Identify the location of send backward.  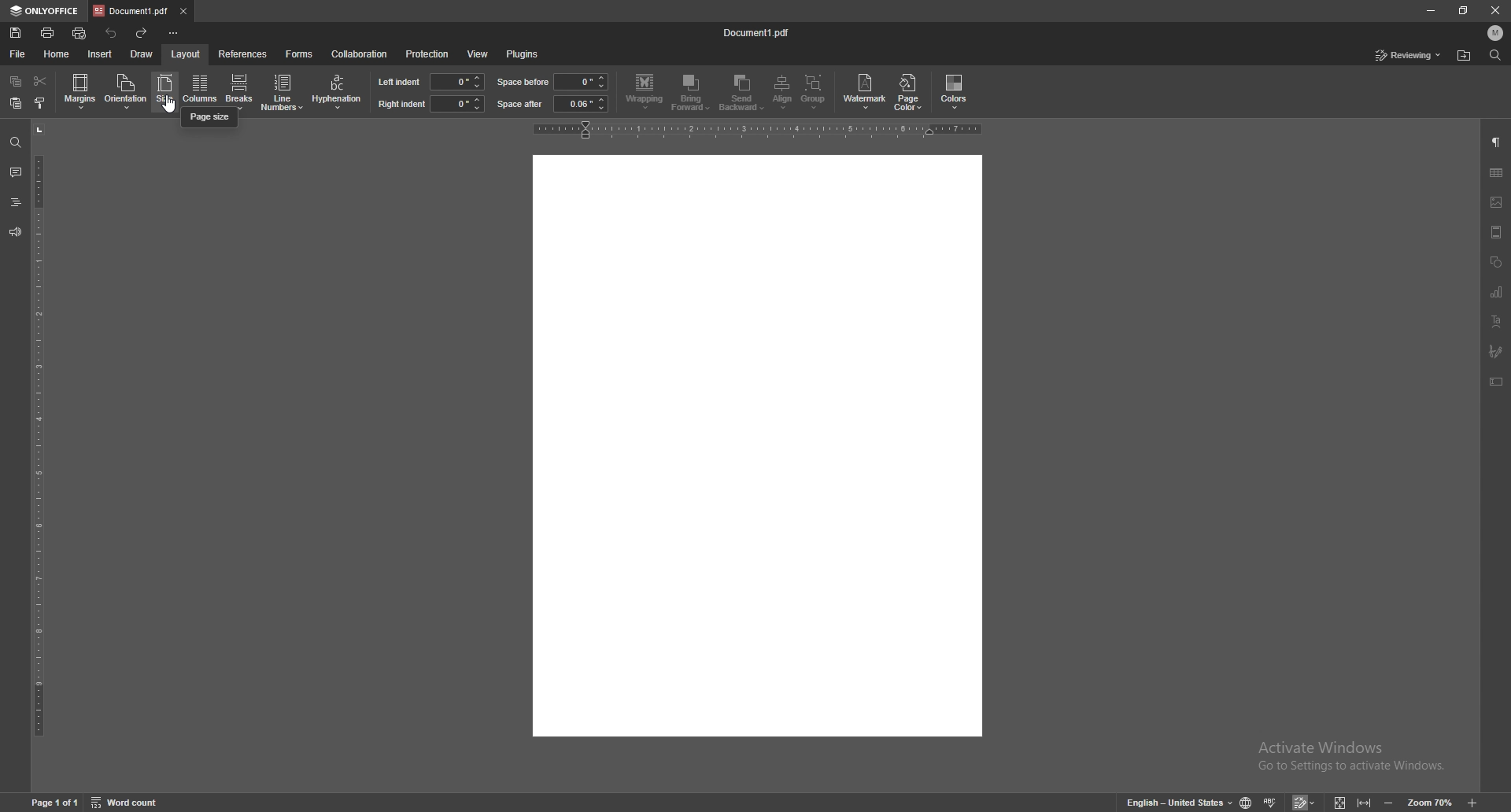
(744, 94).